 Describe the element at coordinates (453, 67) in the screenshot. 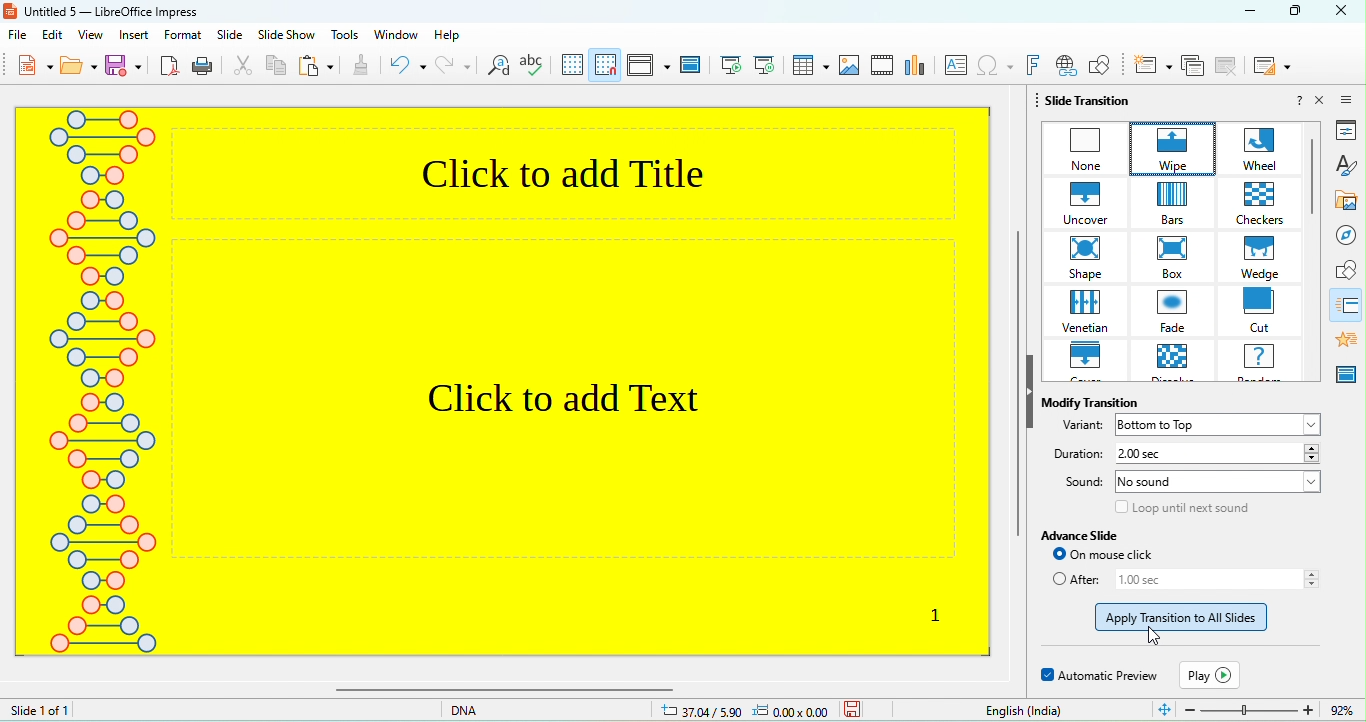

I see `redo` at that location.